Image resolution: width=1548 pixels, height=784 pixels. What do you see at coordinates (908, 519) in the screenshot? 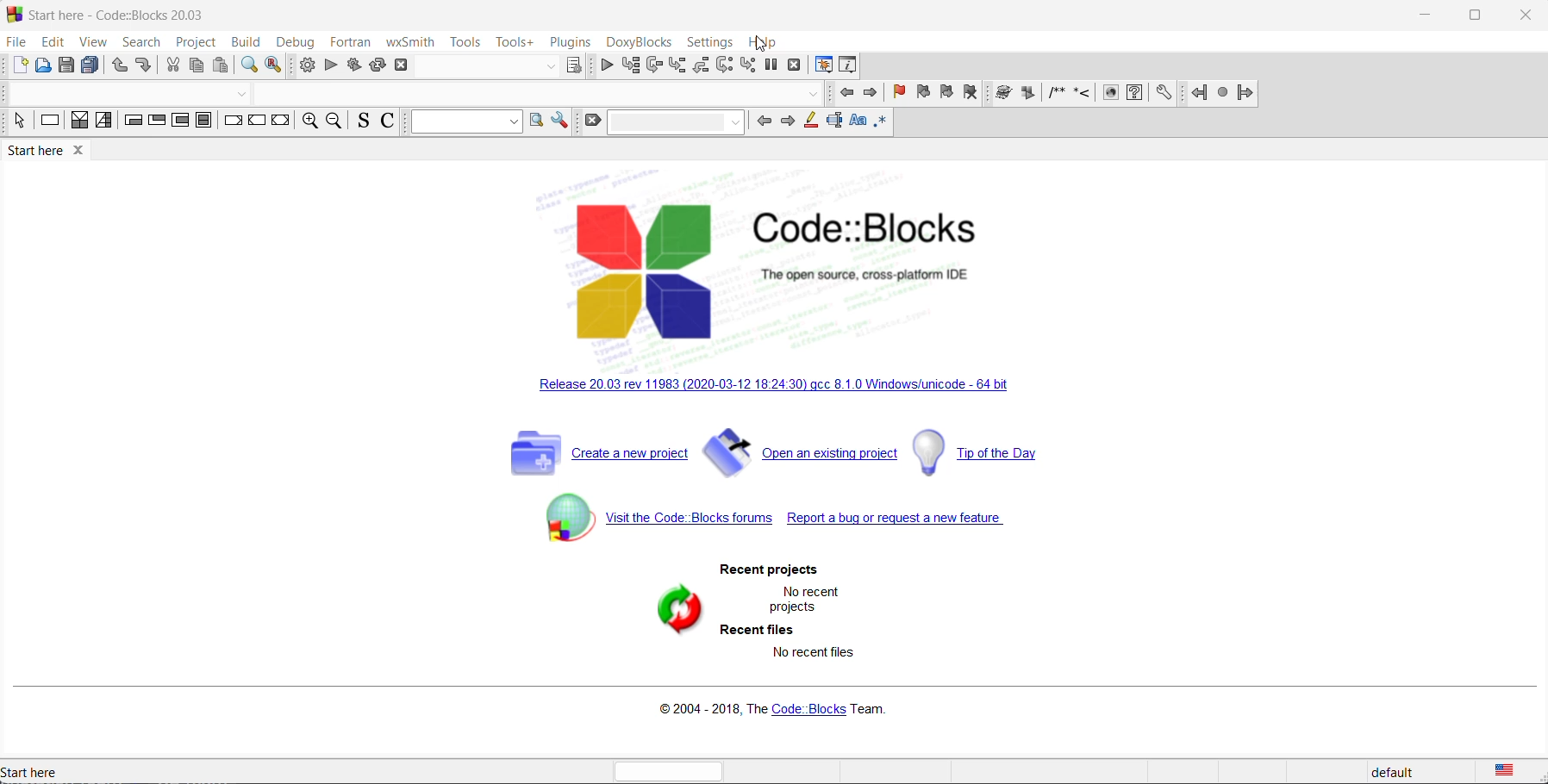
I see `report a bug` at bounding box center [908, 519].